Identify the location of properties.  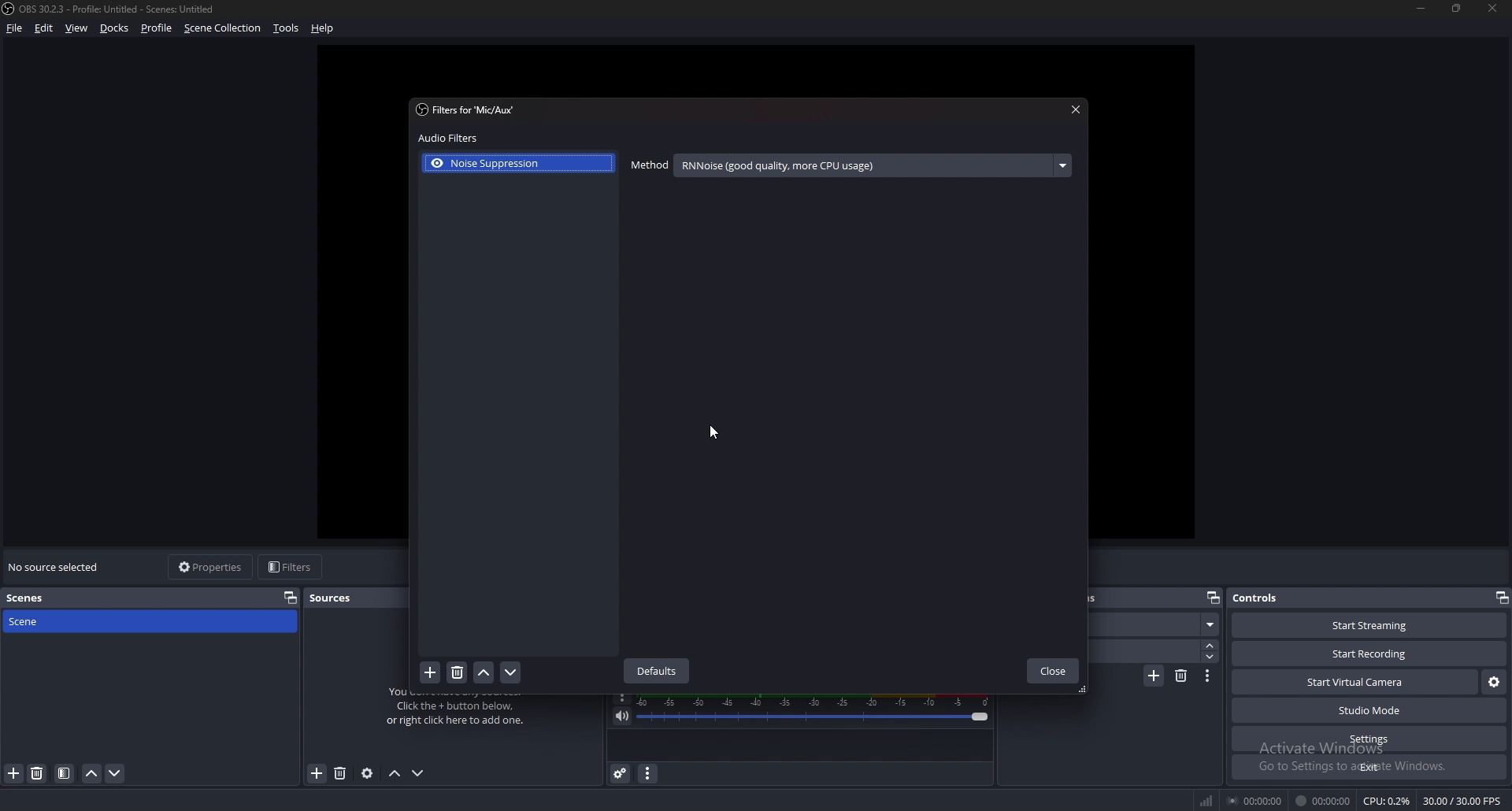
(215, 568).